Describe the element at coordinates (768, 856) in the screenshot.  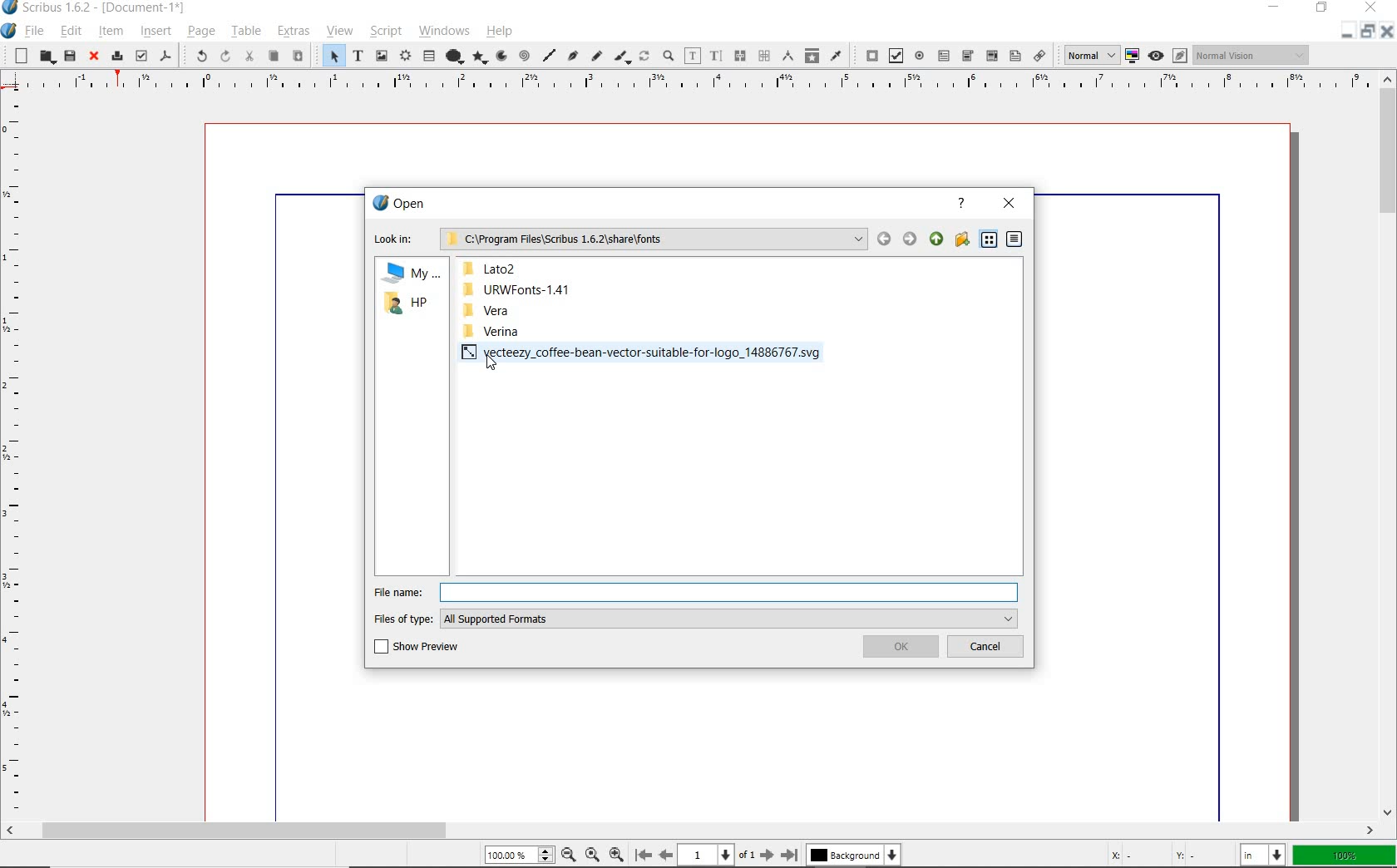
I see `Next Page` at that location.